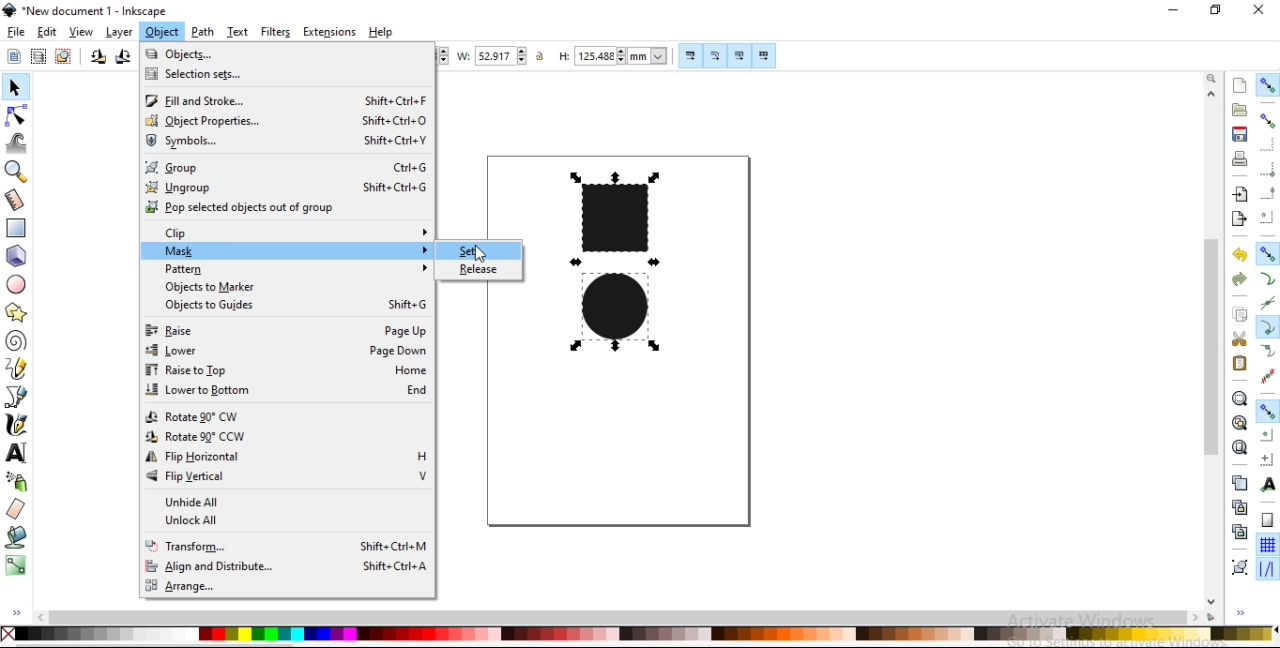 This screenshot has width=1280, height=648. What do you see at coordinates (37, 56) in the screenshot?
I see `select all objects in all visible and unlocked layers` at bounding box center [37, 56].